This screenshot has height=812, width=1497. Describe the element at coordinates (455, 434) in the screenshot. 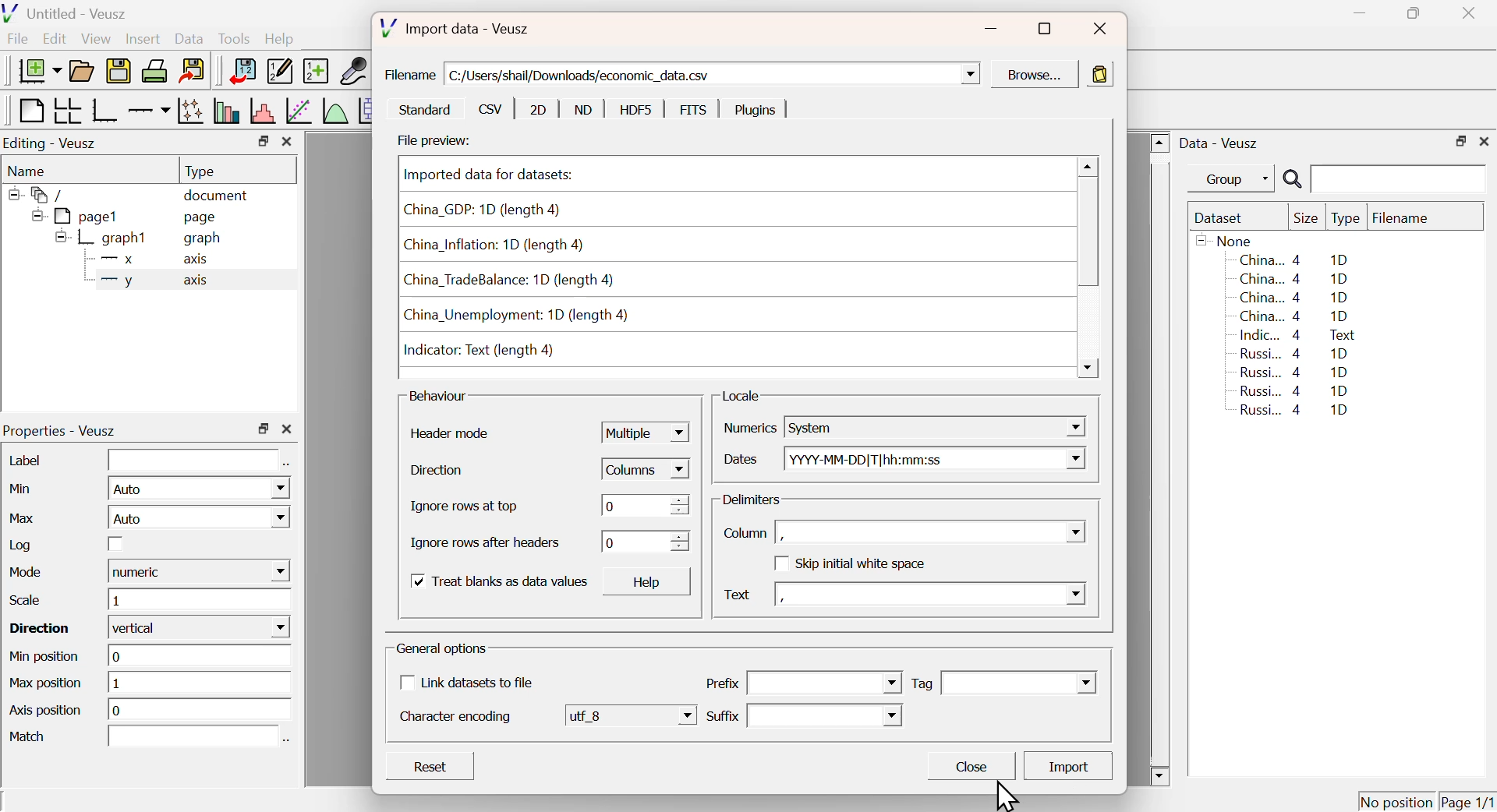

I see `Header mode` at that location.